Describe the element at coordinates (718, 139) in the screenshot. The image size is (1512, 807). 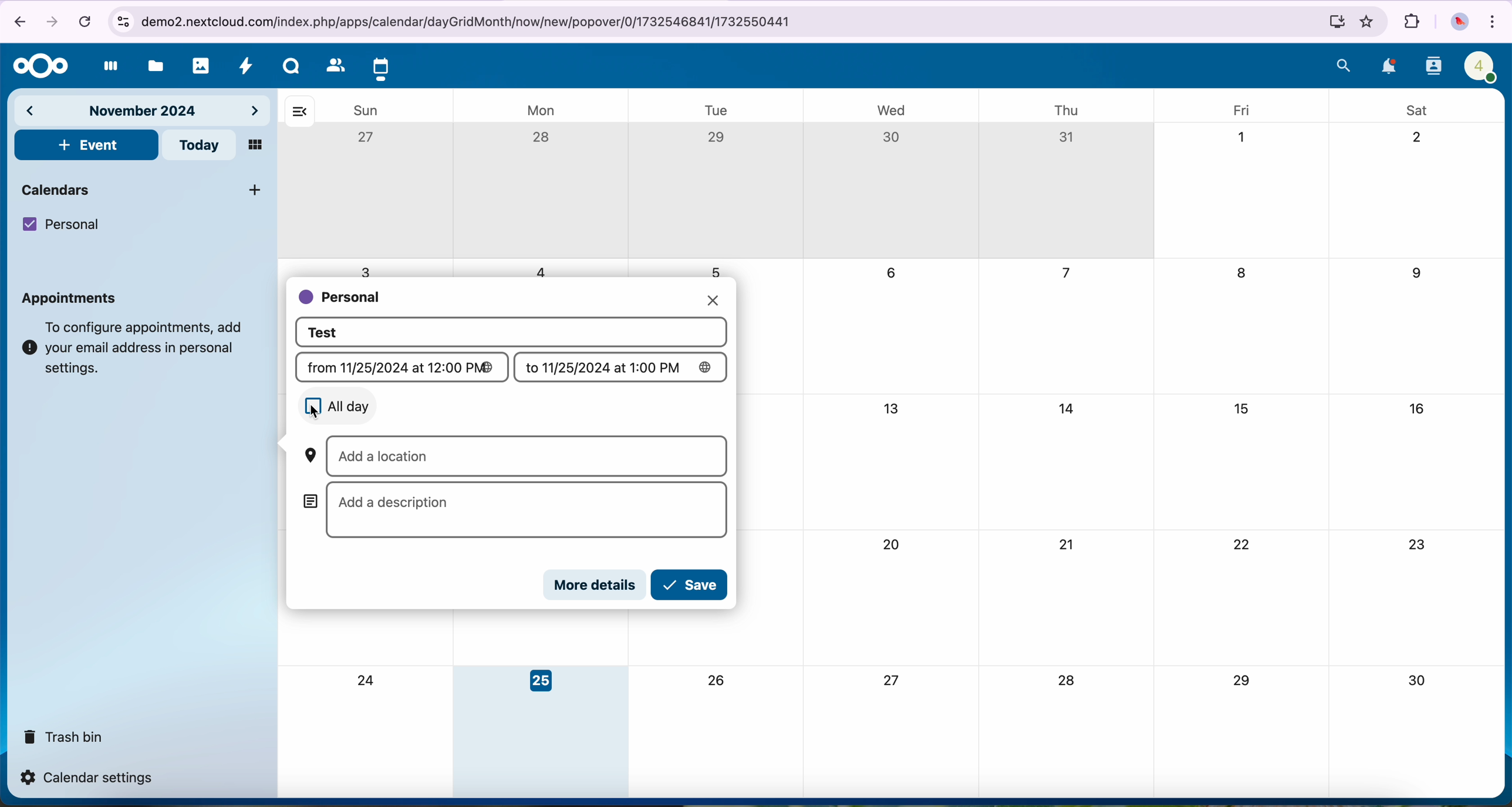
I see `29` at that location.